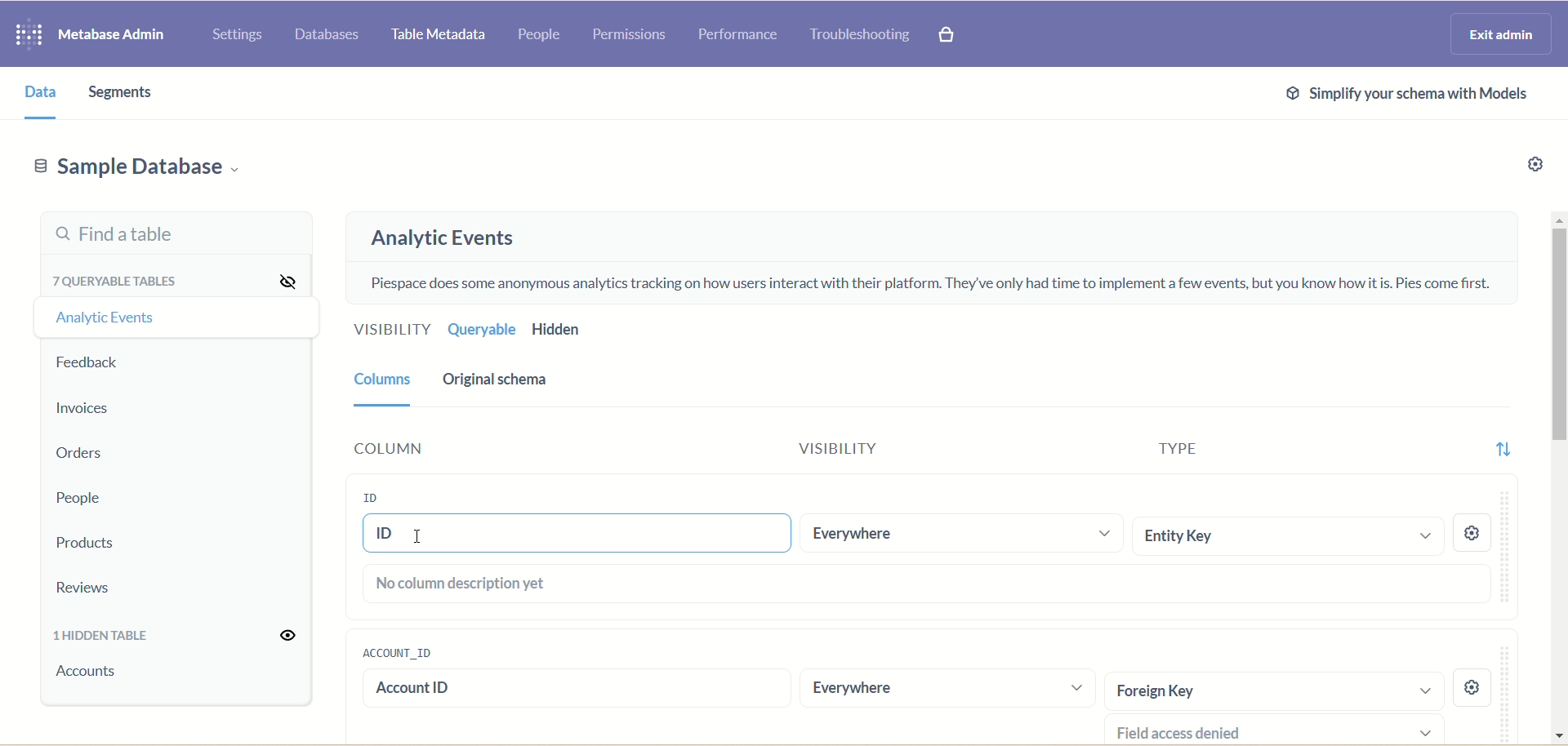 Image resolution: width=1568 pixels, height=746 pixels. Describe the element at coordinates (100, 672) in the screenshot. I see `accounts` at that location.